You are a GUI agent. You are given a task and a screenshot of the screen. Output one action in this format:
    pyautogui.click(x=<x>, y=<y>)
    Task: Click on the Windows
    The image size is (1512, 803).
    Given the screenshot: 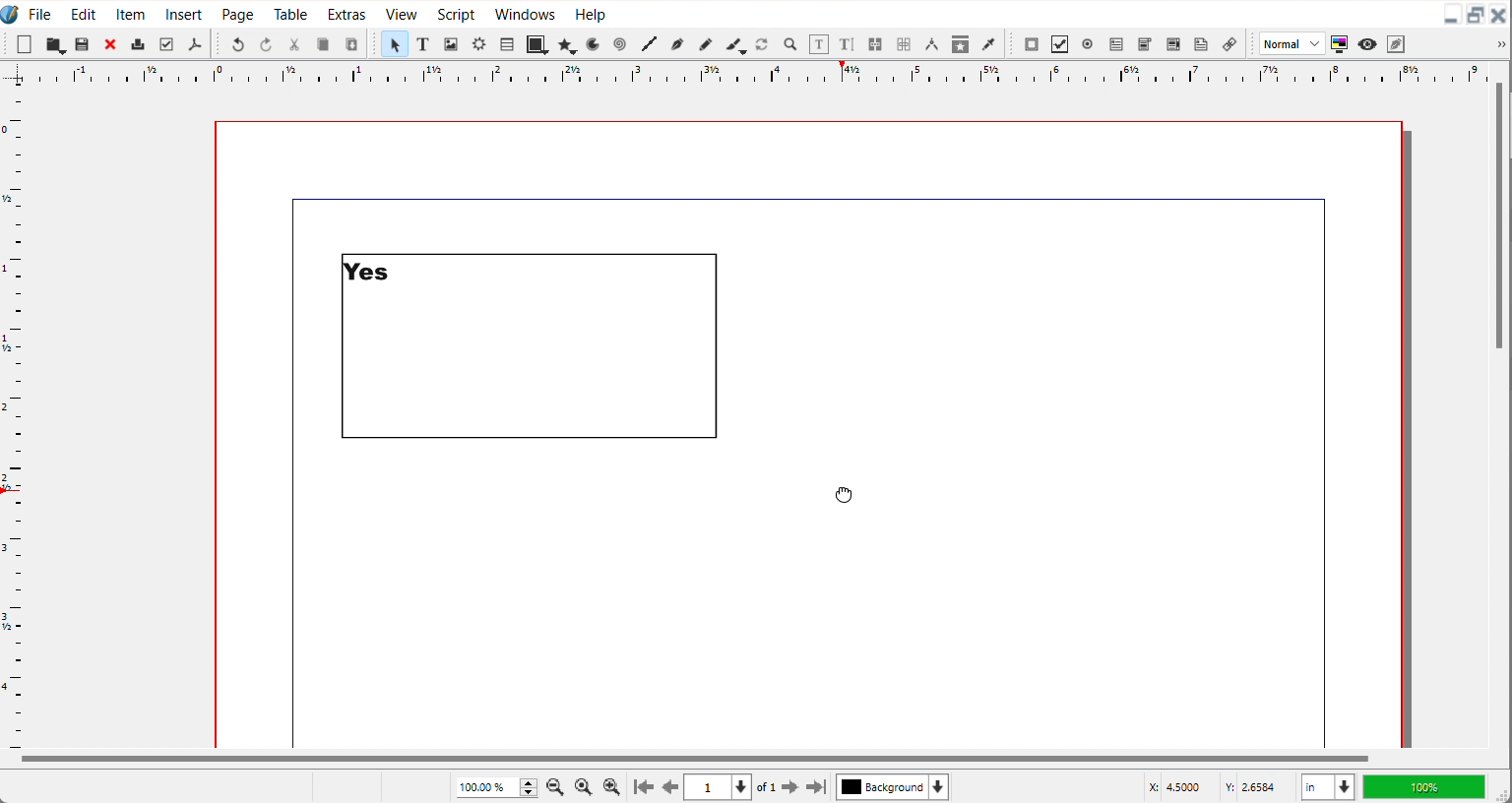 What is the action you would take?
    pyautogui.click(x=525, y=12)
    